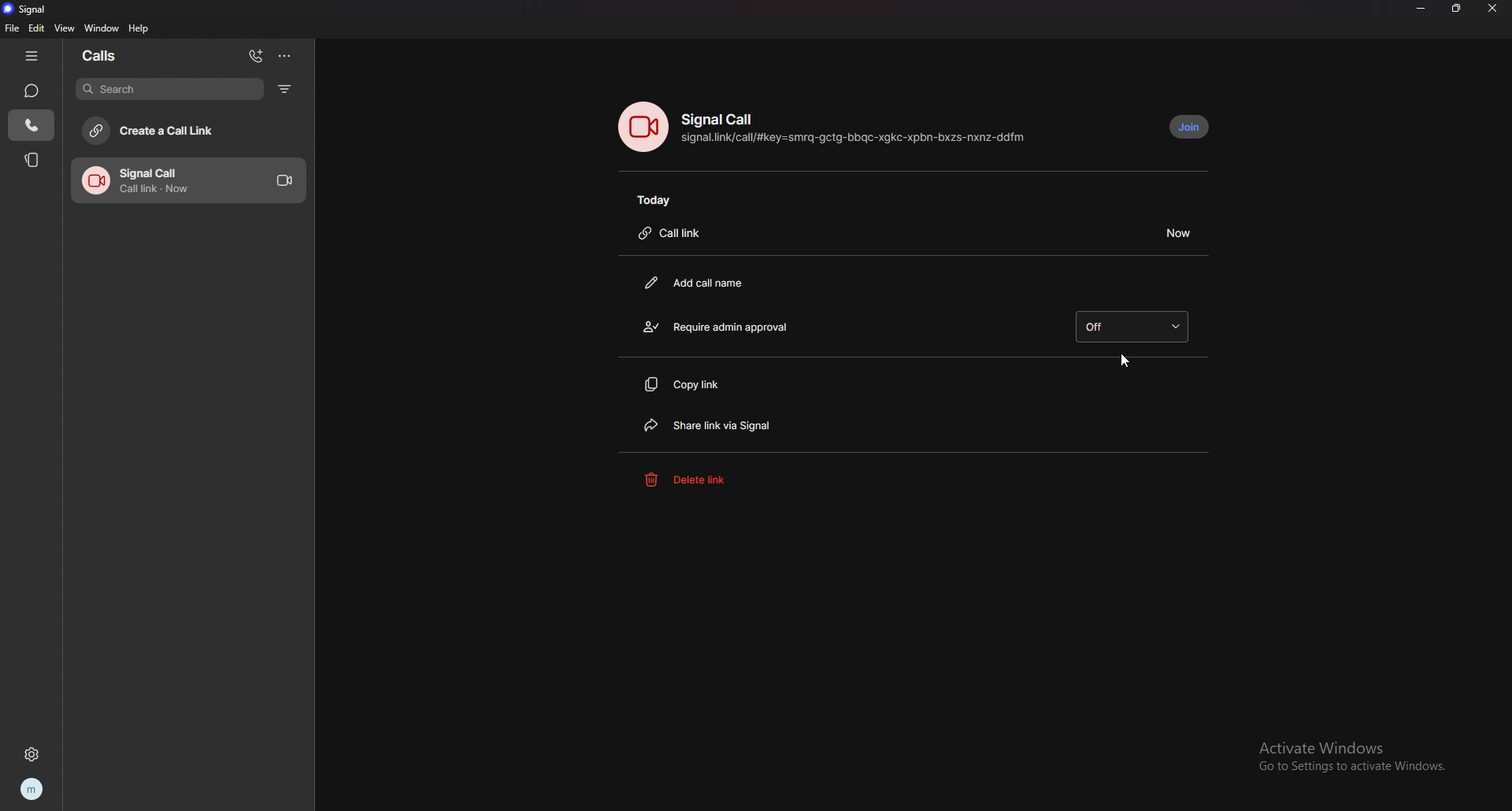  Describe the element at coordinates (854, 138) in the screenshot. I see `call link` at that location.